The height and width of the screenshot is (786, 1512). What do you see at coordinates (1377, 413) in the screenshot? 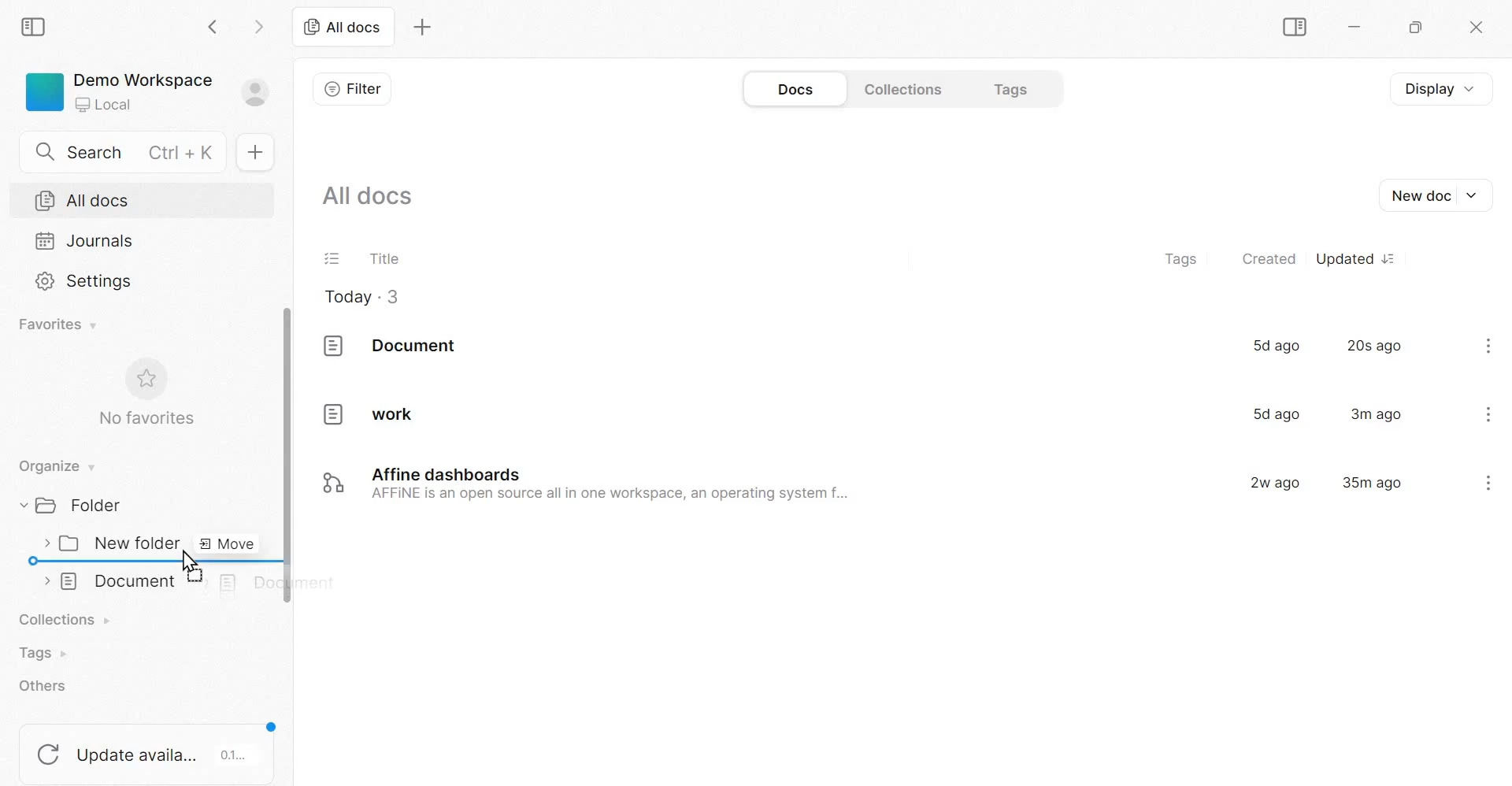
I see `3m ago` at bounding box center [1377, 413].